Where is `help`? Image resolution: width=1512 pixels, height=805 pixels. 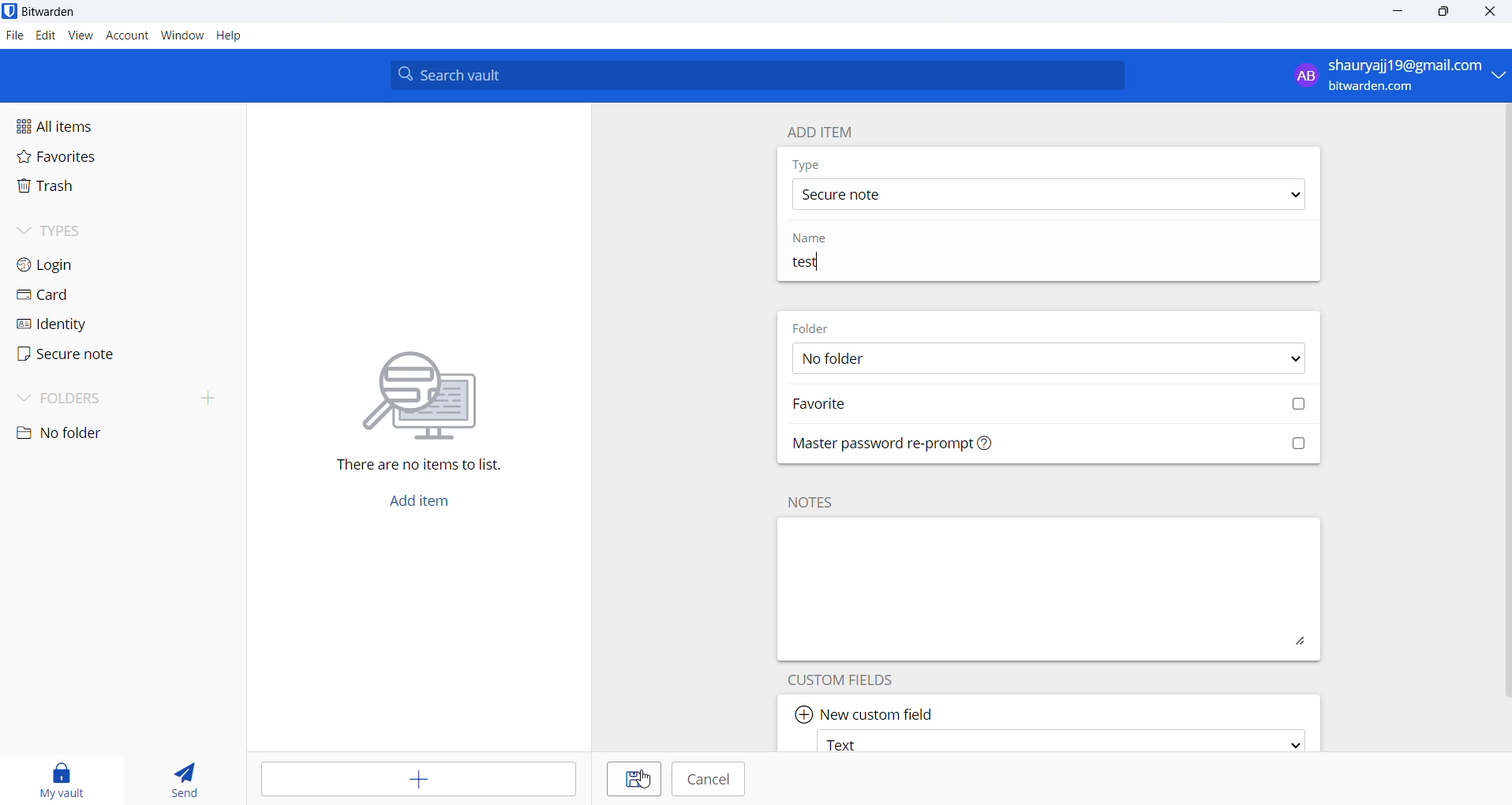
help is located at coordinates (230, 36).